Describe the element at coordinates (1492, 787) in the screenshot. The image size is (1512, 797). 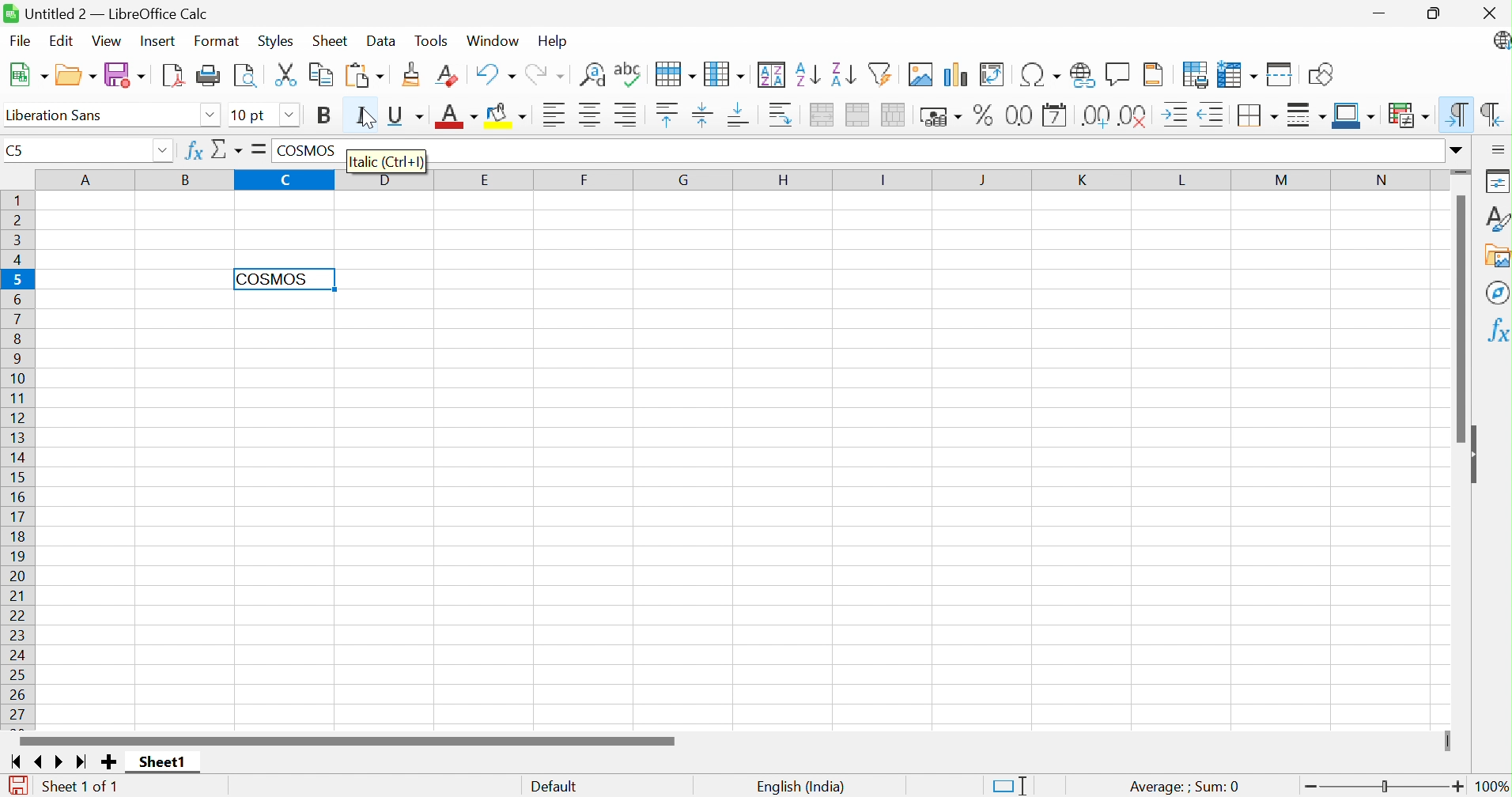
I see `100%` at that location.